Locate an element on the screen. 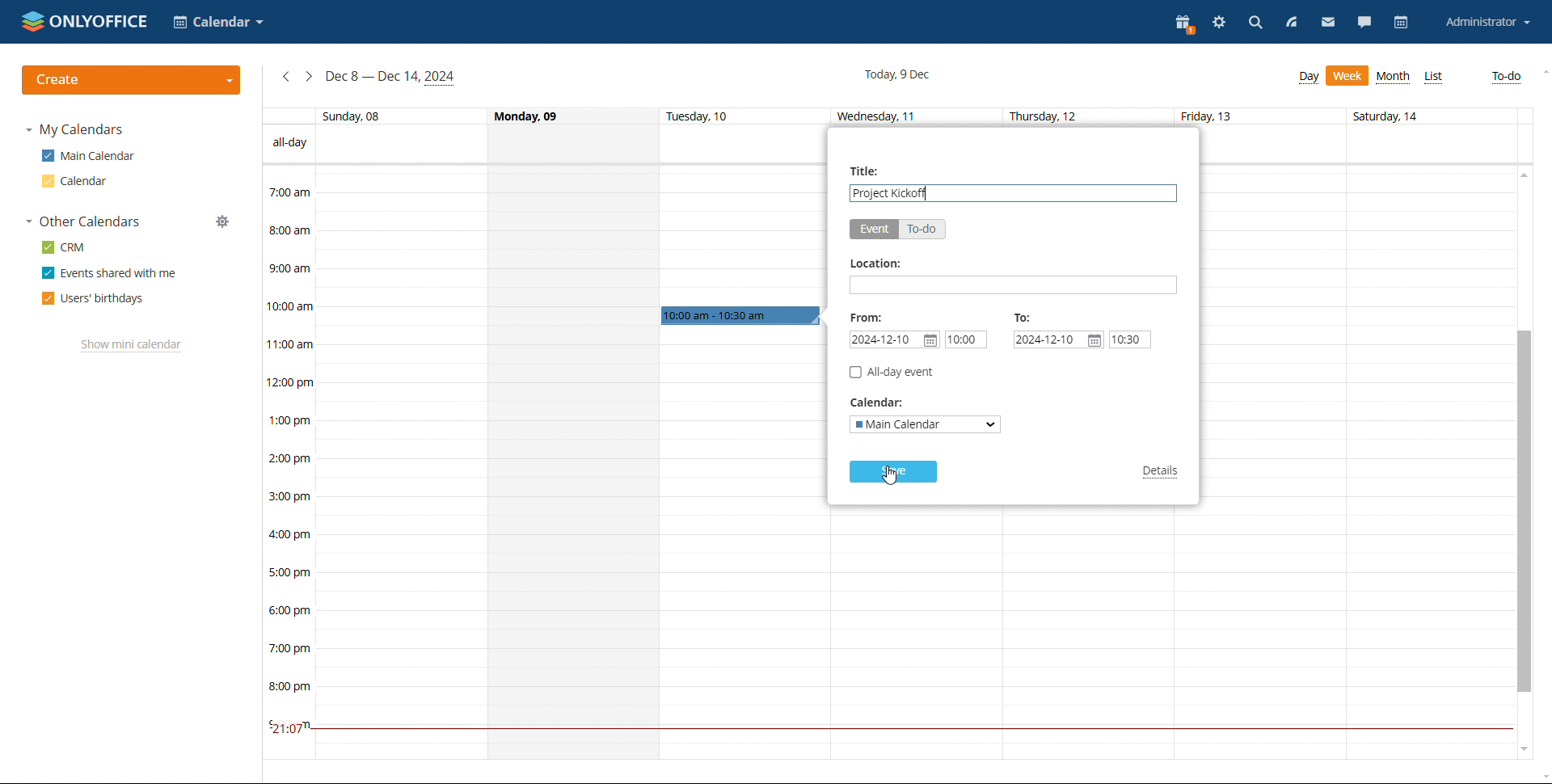  settings is located at coordinates (1218, 24).